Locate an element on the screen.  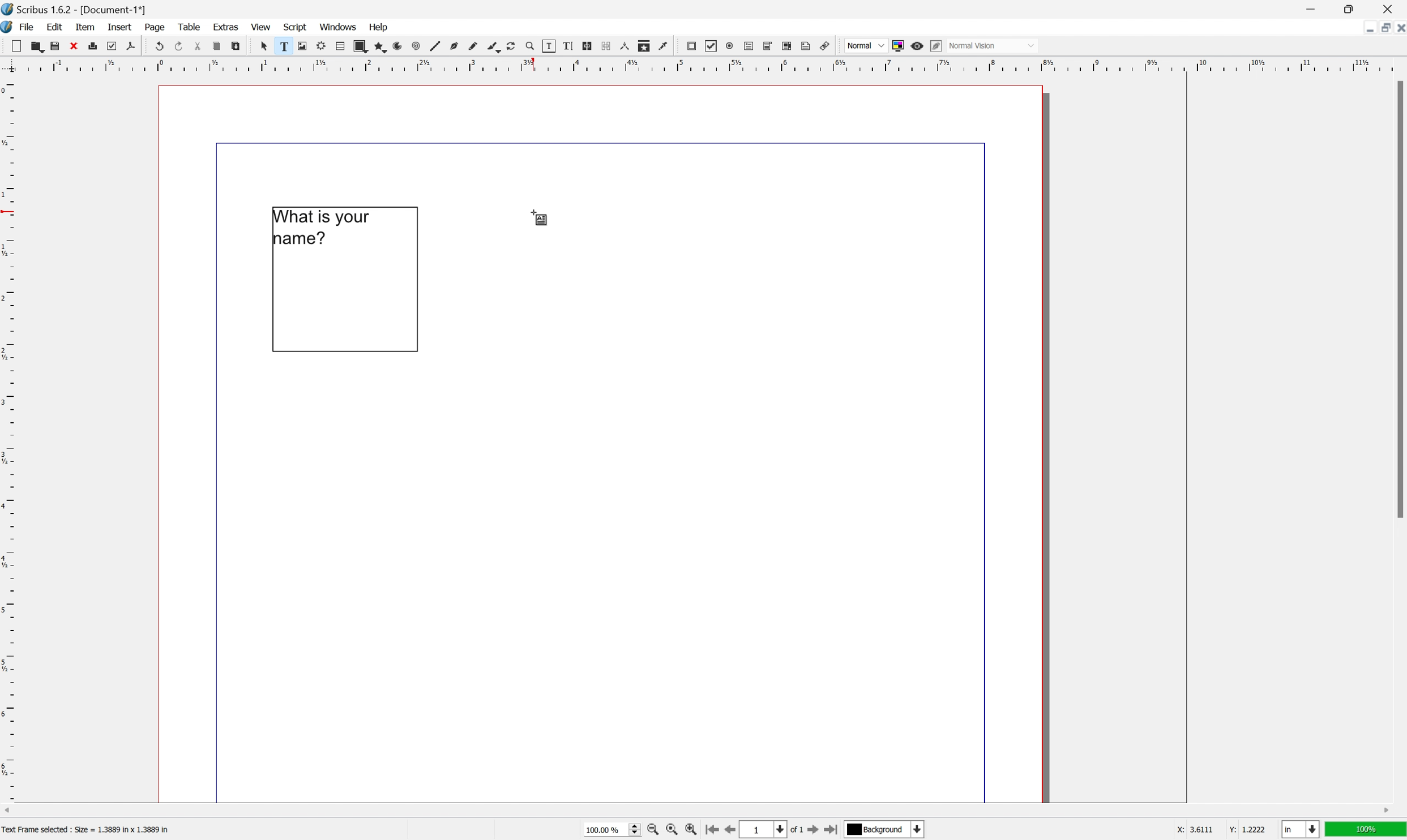
edit in preview mode is located at coordinates (935, 45).